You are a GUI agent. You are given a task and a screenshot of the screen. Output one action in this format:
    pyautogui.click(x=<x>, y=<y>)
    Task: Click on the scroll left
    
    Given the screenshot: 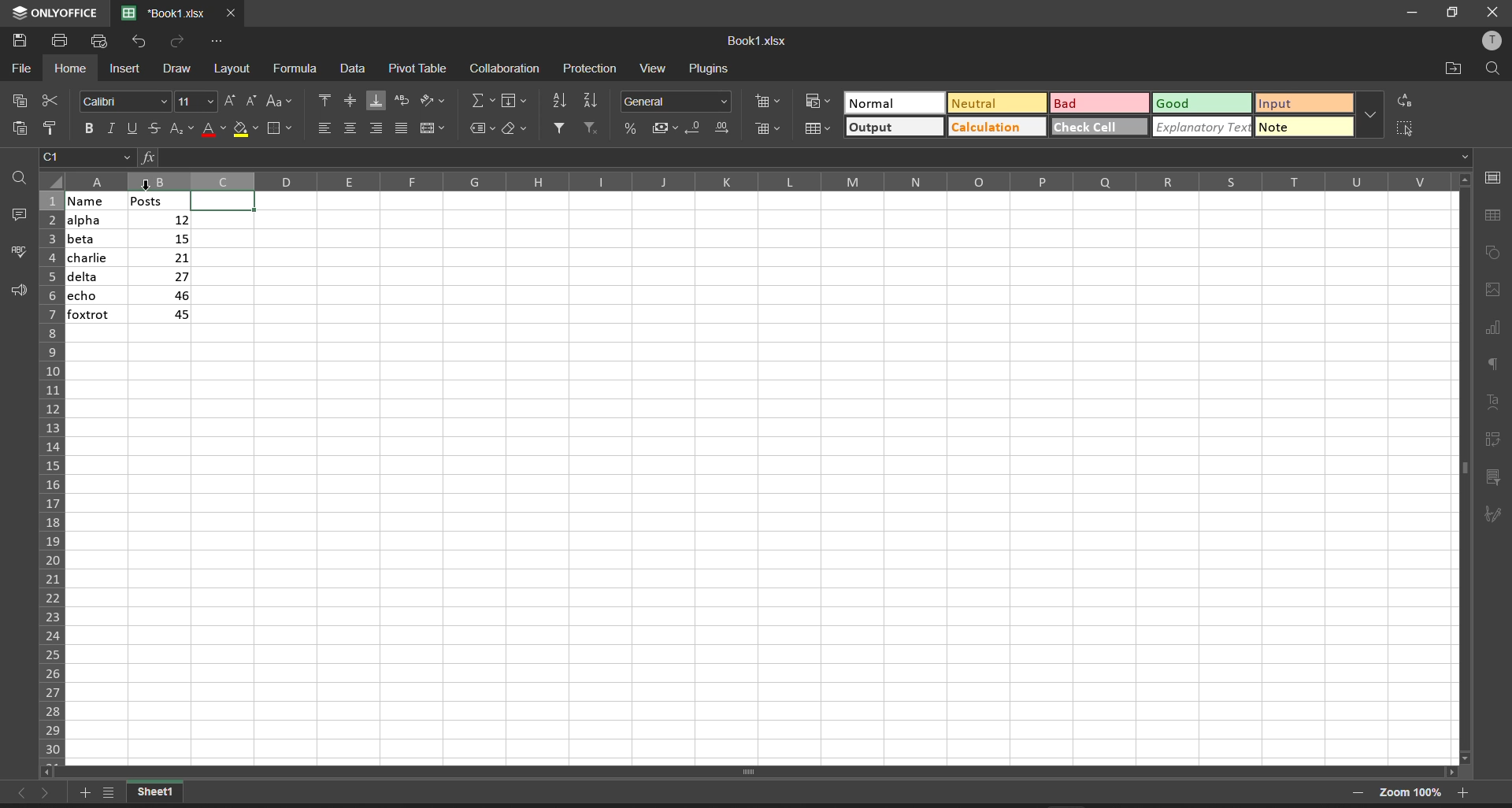 What is the action you would take?
    pyautogui.click(x=49, y=770)
    